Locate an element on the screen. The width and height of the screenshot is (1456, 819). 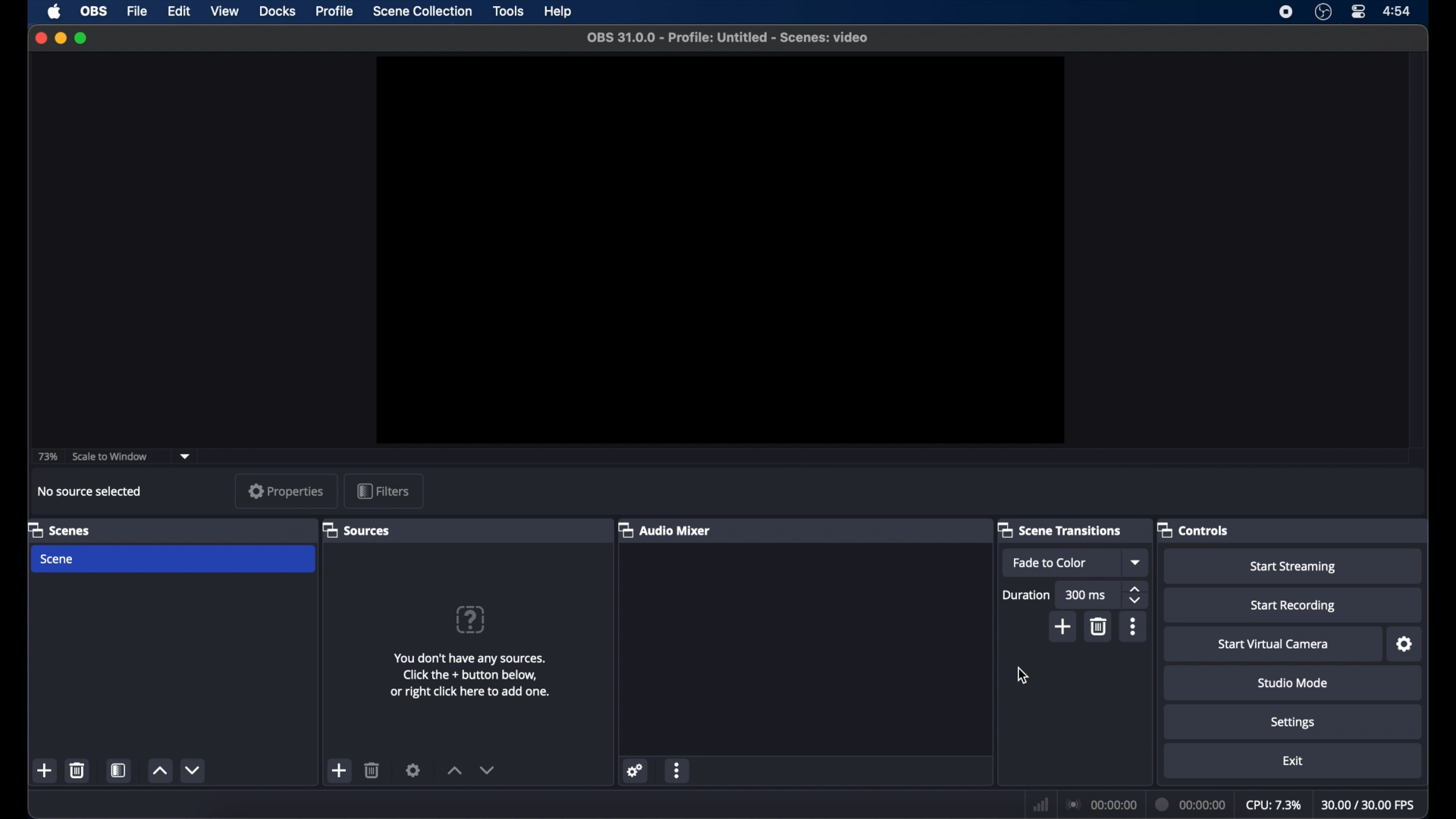
settings is located at coordinates (1405, 645).